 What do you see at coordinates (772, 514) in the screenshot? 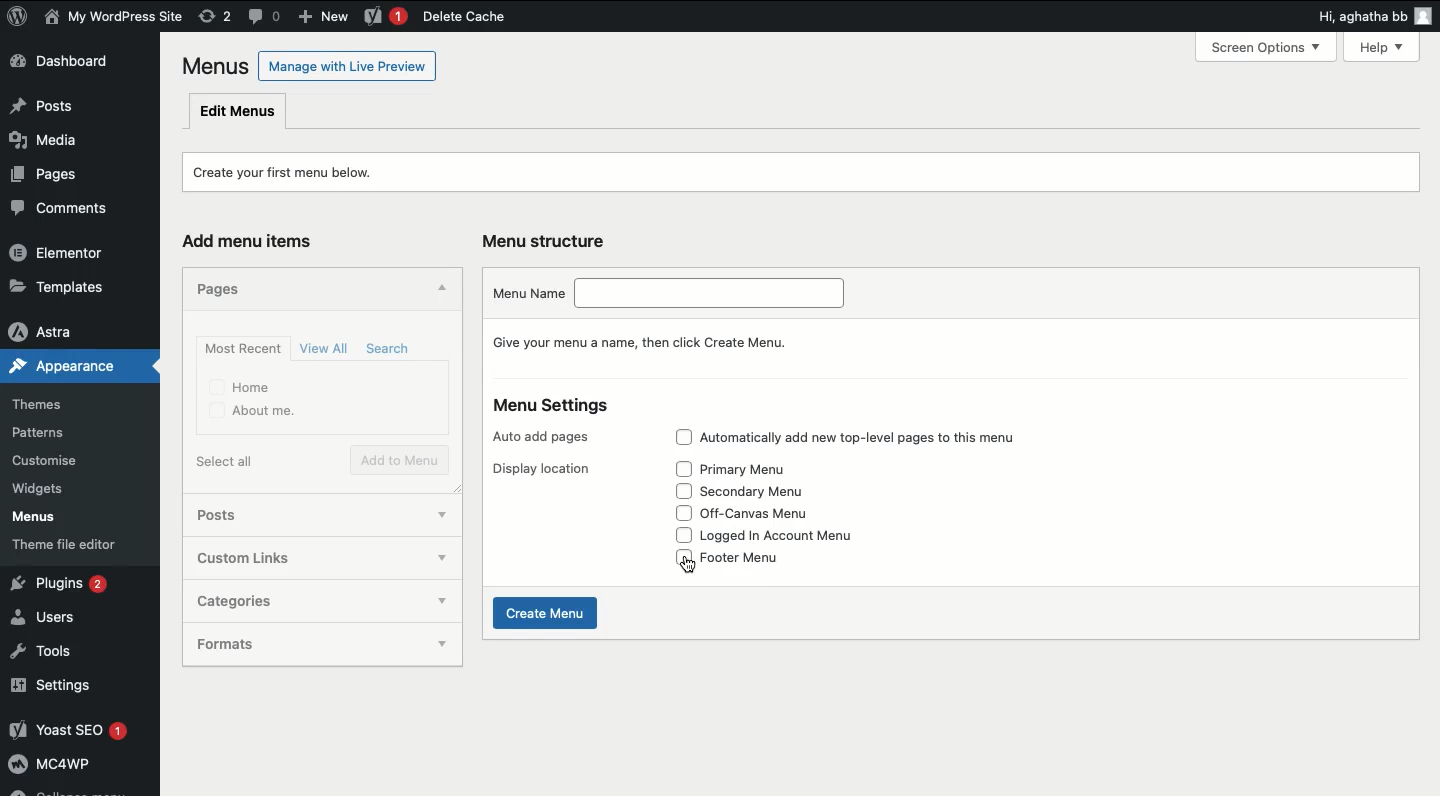
I see `Off-canvas menu` at bounding box center [772, 514].